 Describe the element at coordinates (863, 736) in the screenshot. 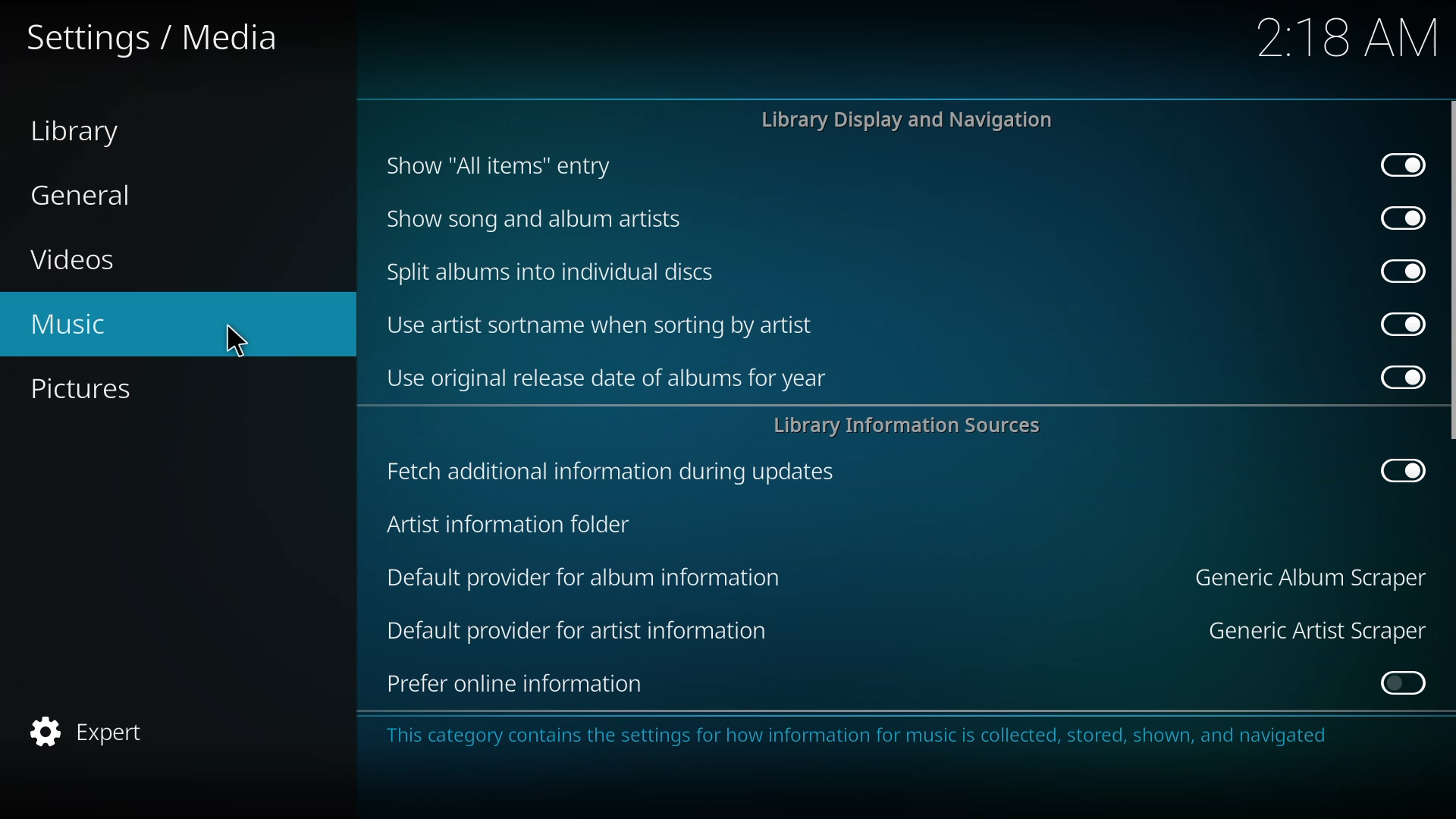

I see `info` at that location.